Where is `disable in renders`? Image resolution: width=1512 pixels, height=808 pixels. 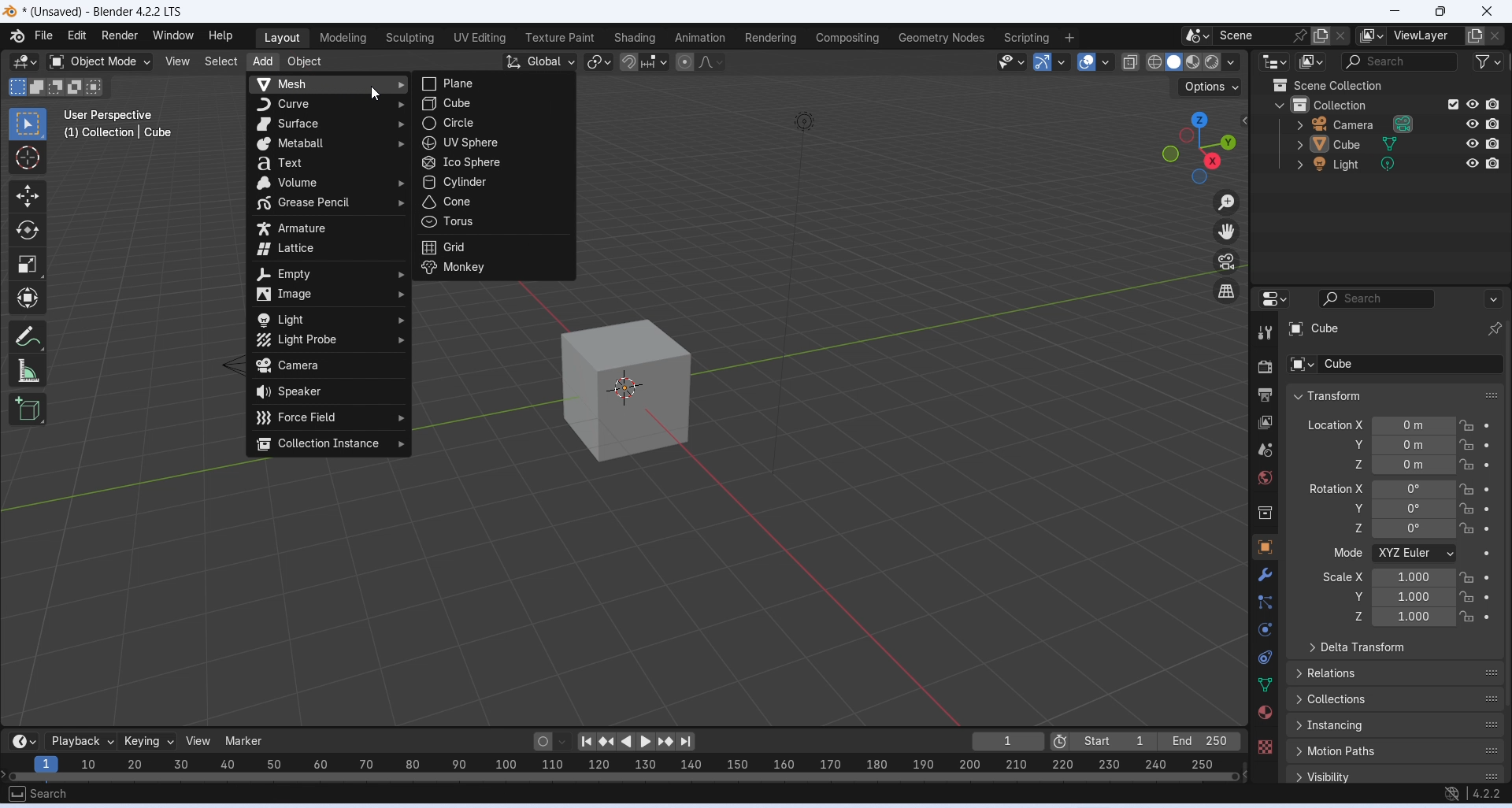 disable in renders is located at coordinates (1492, 143).